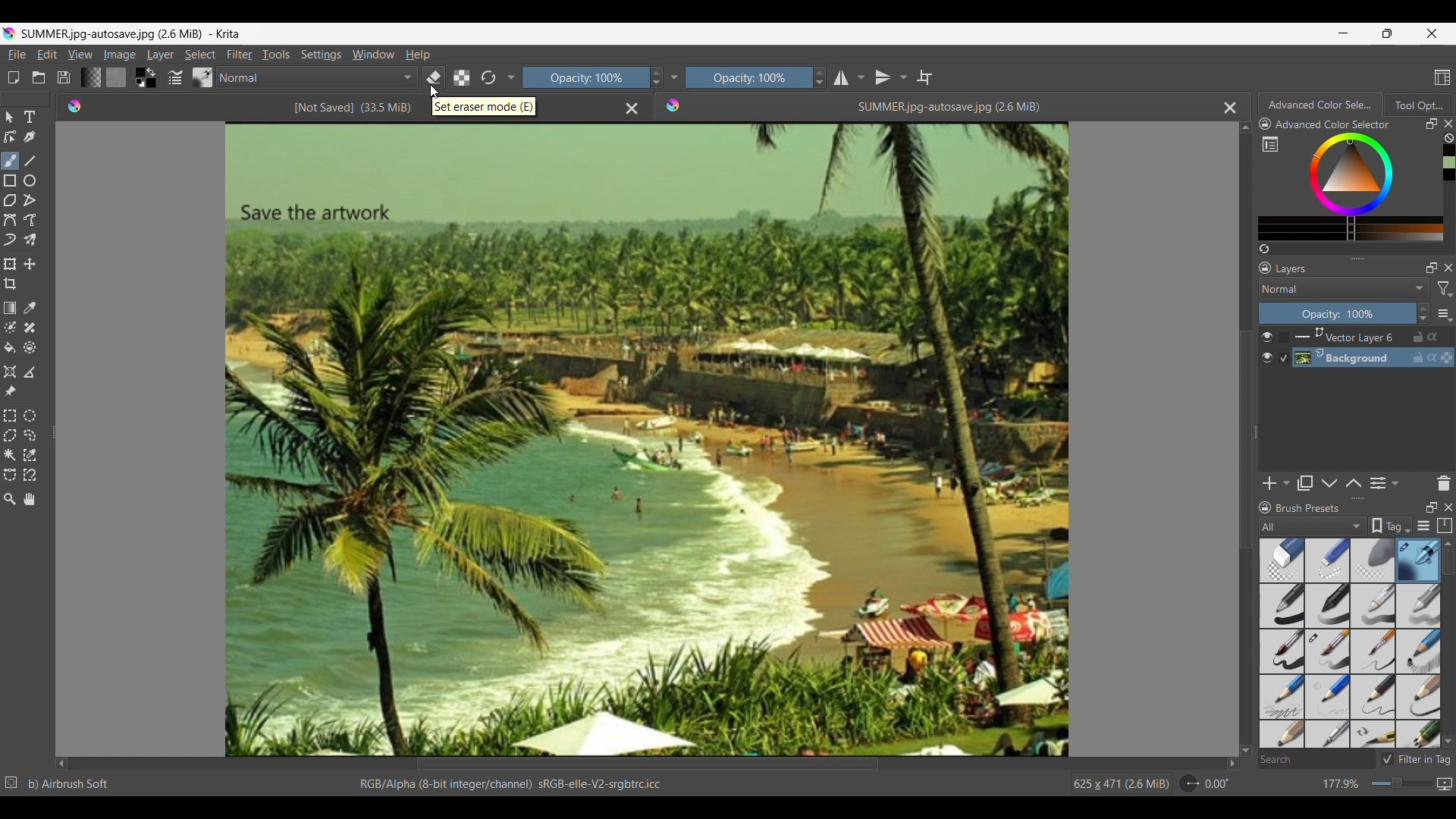  Describe the element at coordinates (1265, 268) in the screenshot. I see `Lock layers panel` at that location.